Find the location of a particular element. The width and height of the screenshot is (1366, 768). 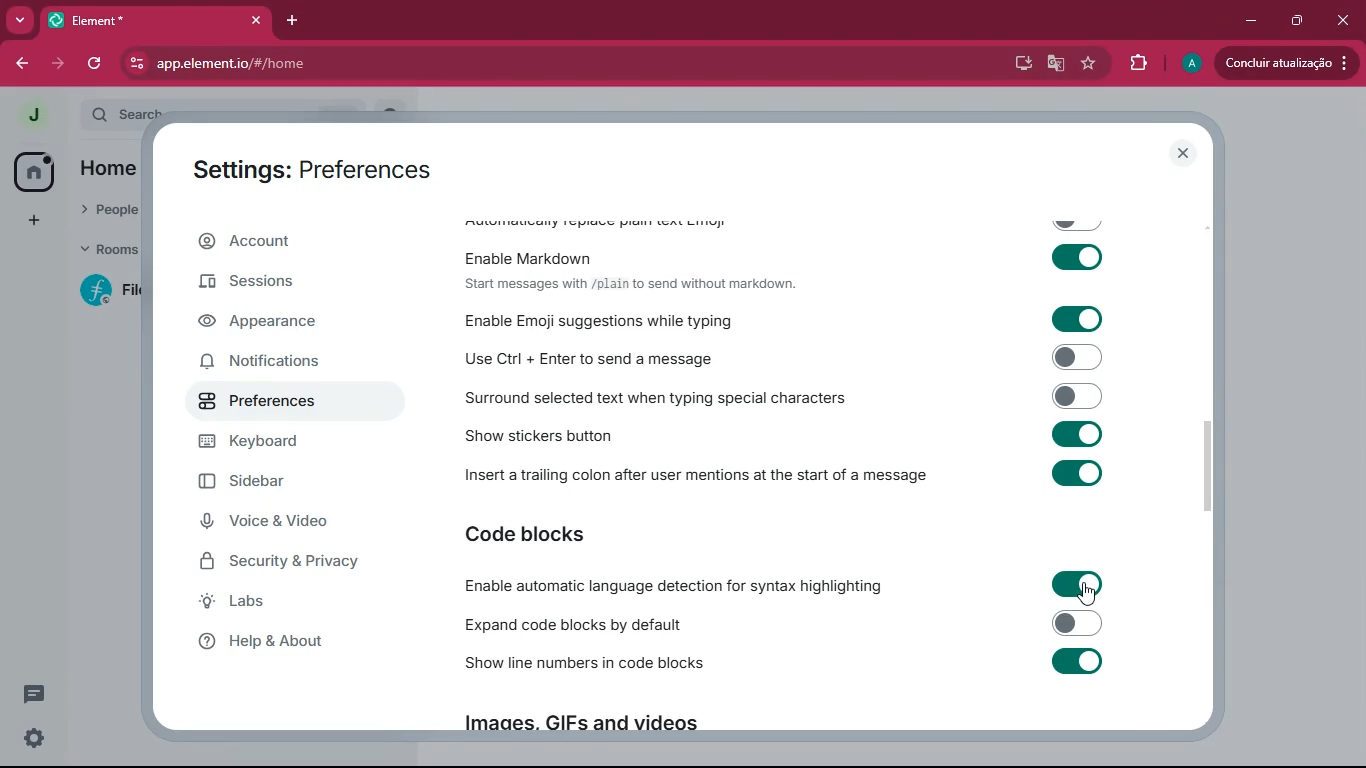

app.element.io/#/home is located at coordinates (318, 65).